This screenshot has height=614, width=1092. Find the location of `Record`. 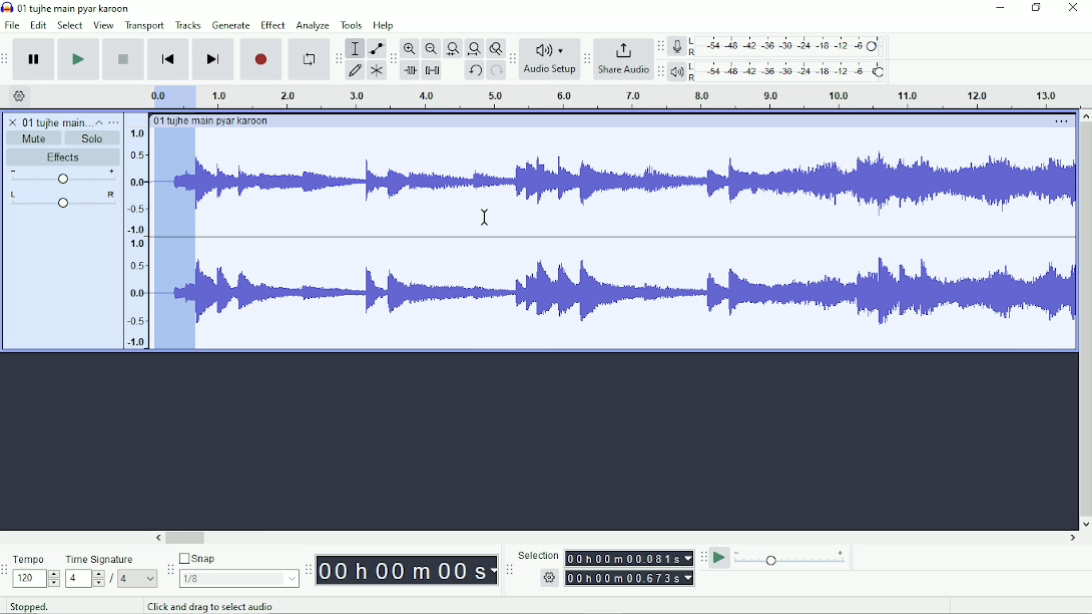

Record is located at coordinates (262, 59).